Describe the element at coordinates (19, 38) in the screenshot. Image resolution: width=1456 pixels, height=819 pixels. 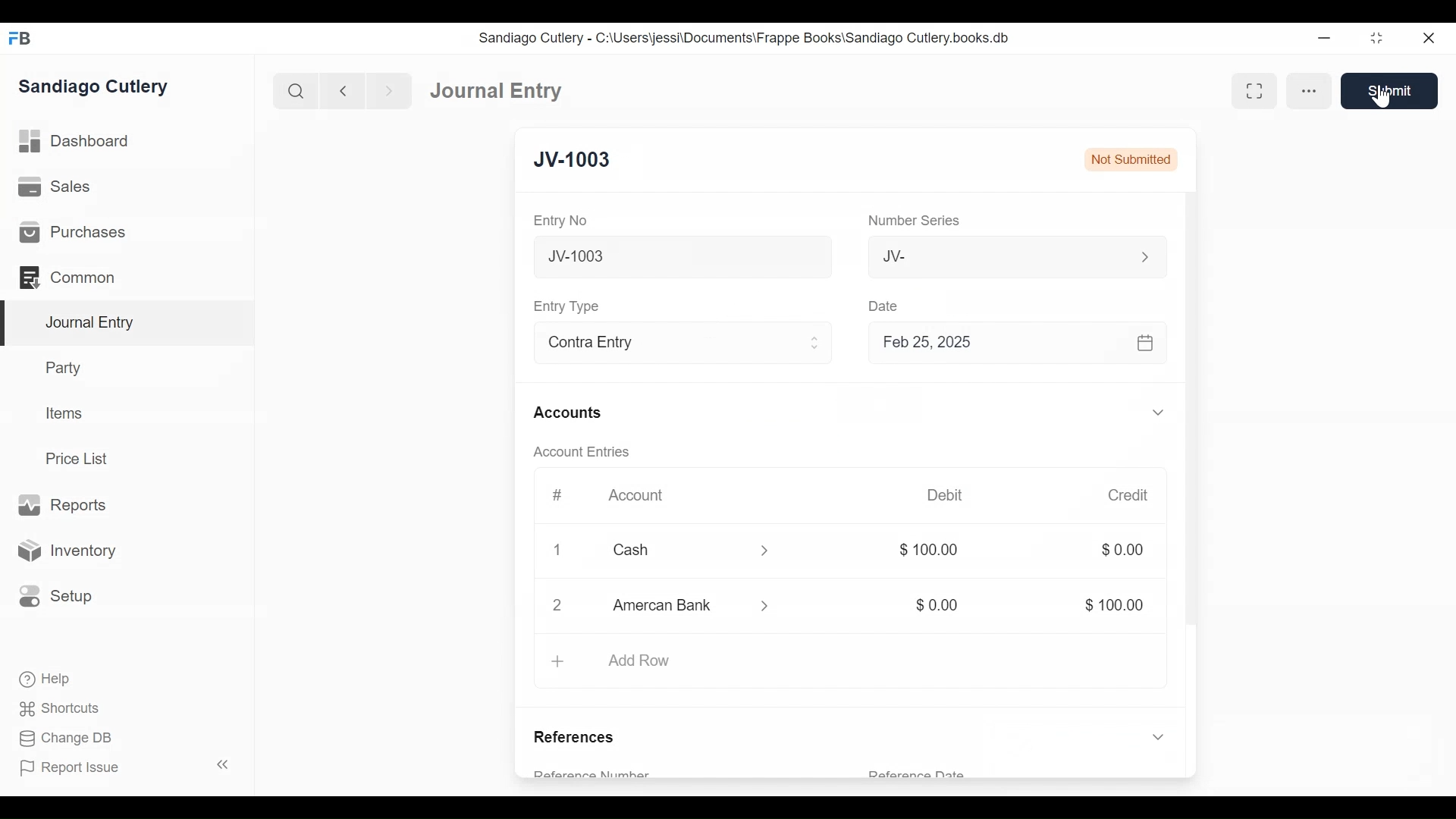
I see `Frappe Books Desktop icon` at that location.